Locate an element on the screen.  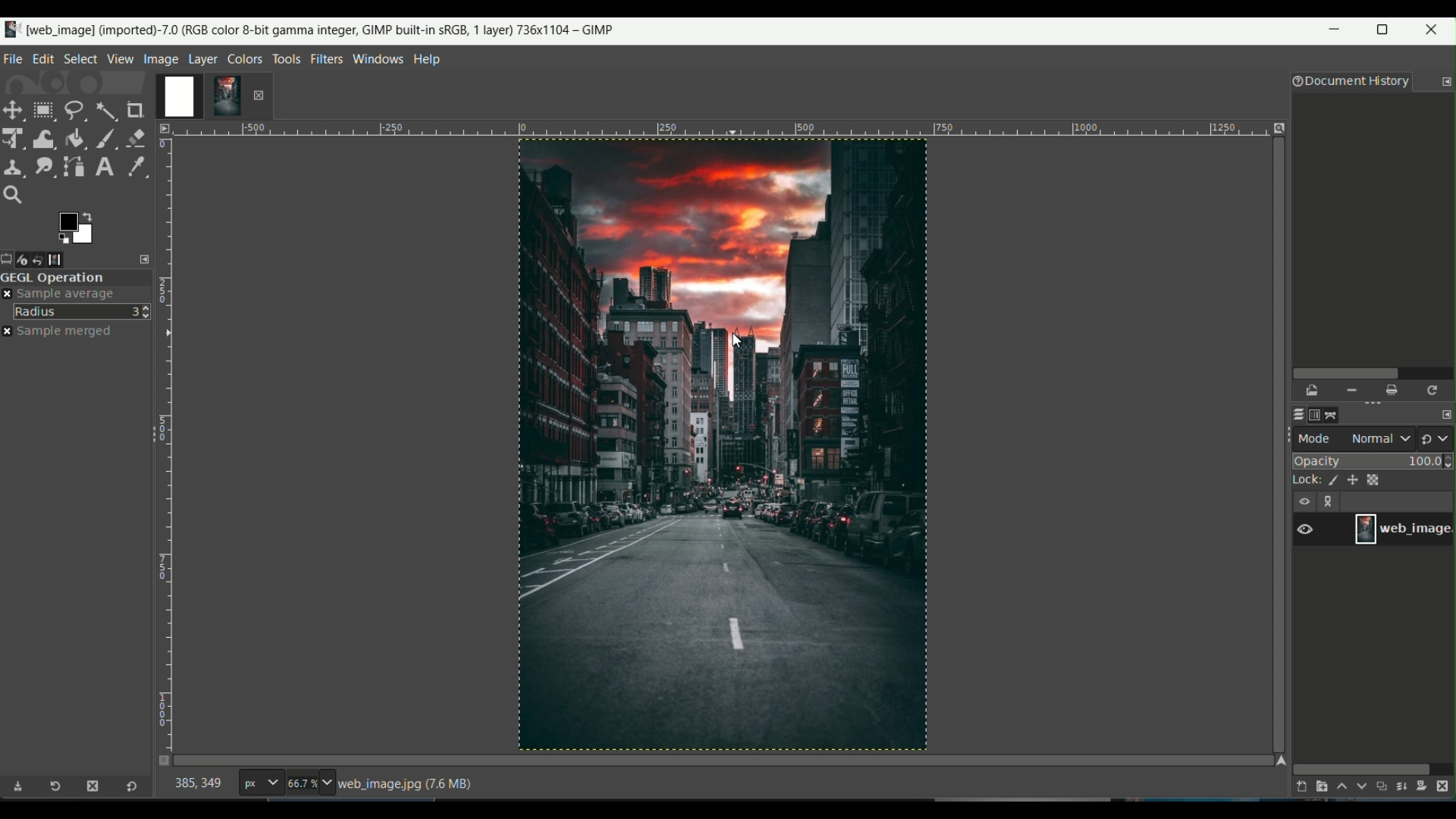
add a mask is located at coordinates (1426, 786).